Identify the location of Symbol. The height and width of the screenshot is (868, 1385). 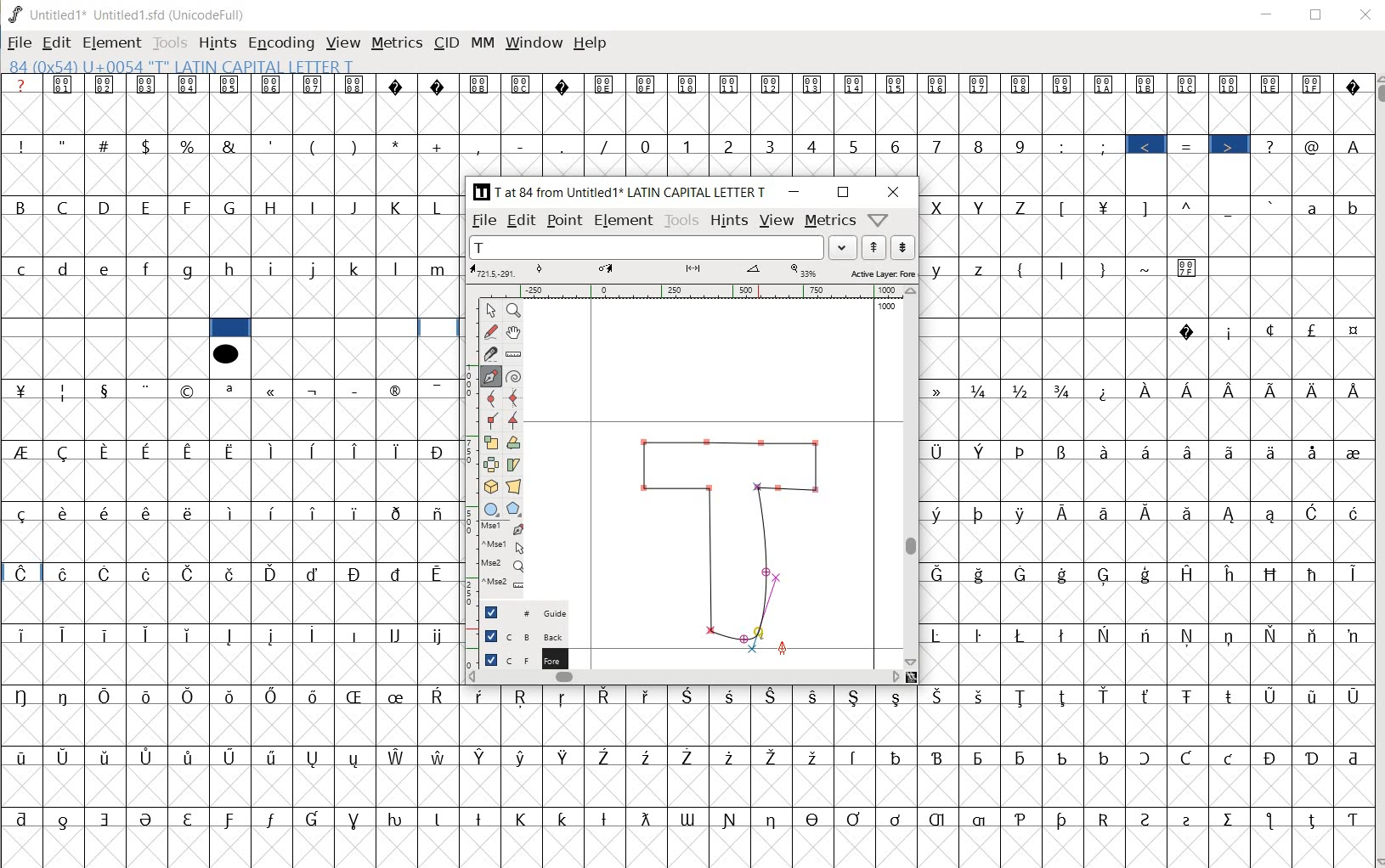
(107, 819).